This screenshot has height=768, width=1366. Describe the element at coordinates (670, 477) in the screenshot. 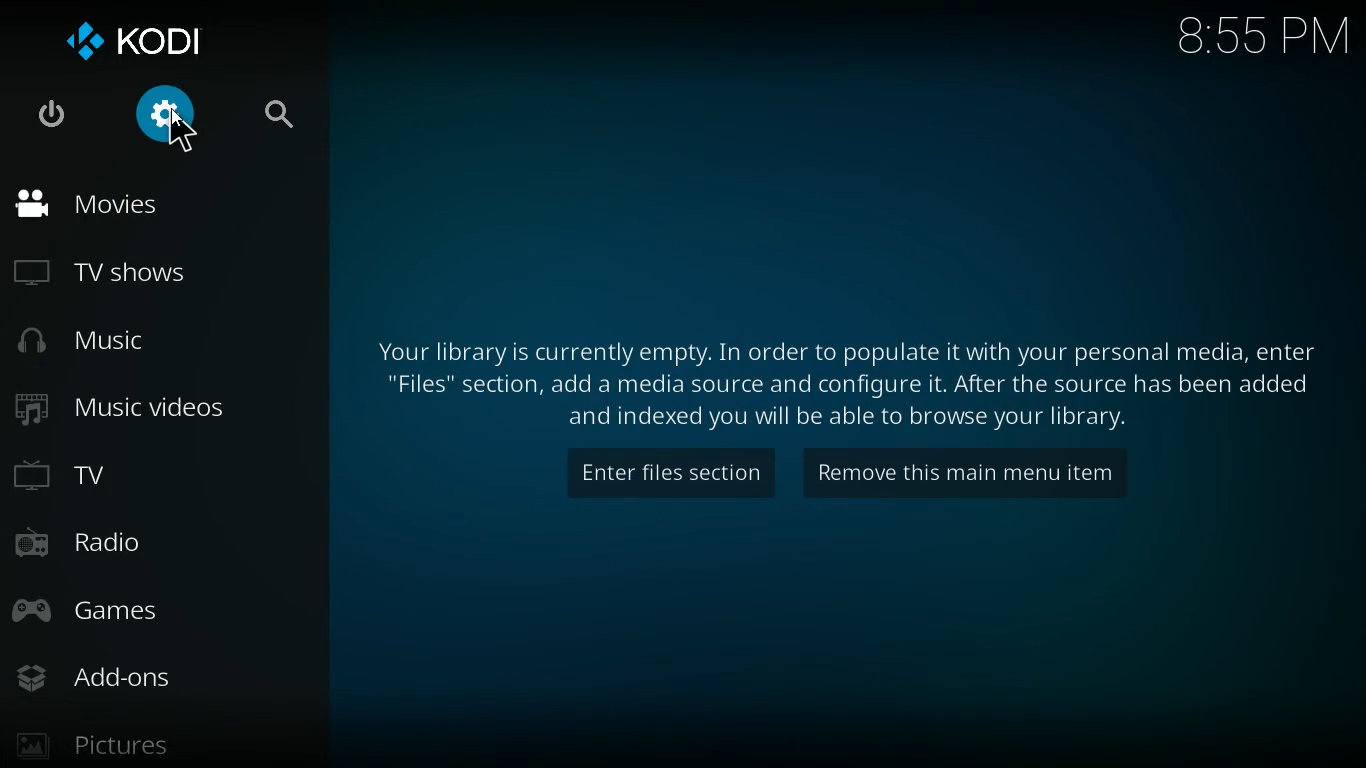

I see `enter files` at that location.